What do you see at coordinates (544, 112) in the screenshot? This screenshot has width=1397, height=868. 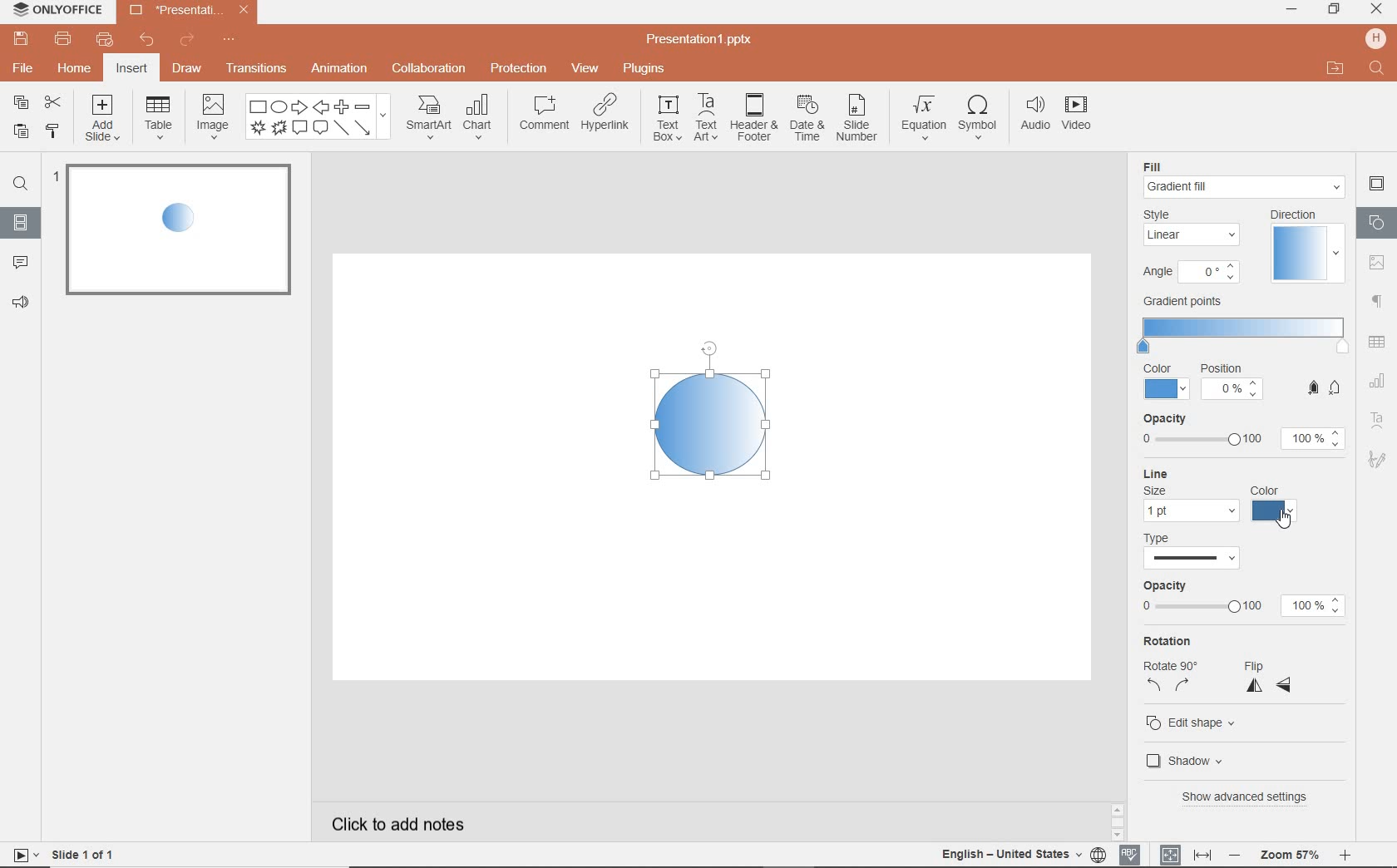 I see `comment` at bounding box center [544, 112].